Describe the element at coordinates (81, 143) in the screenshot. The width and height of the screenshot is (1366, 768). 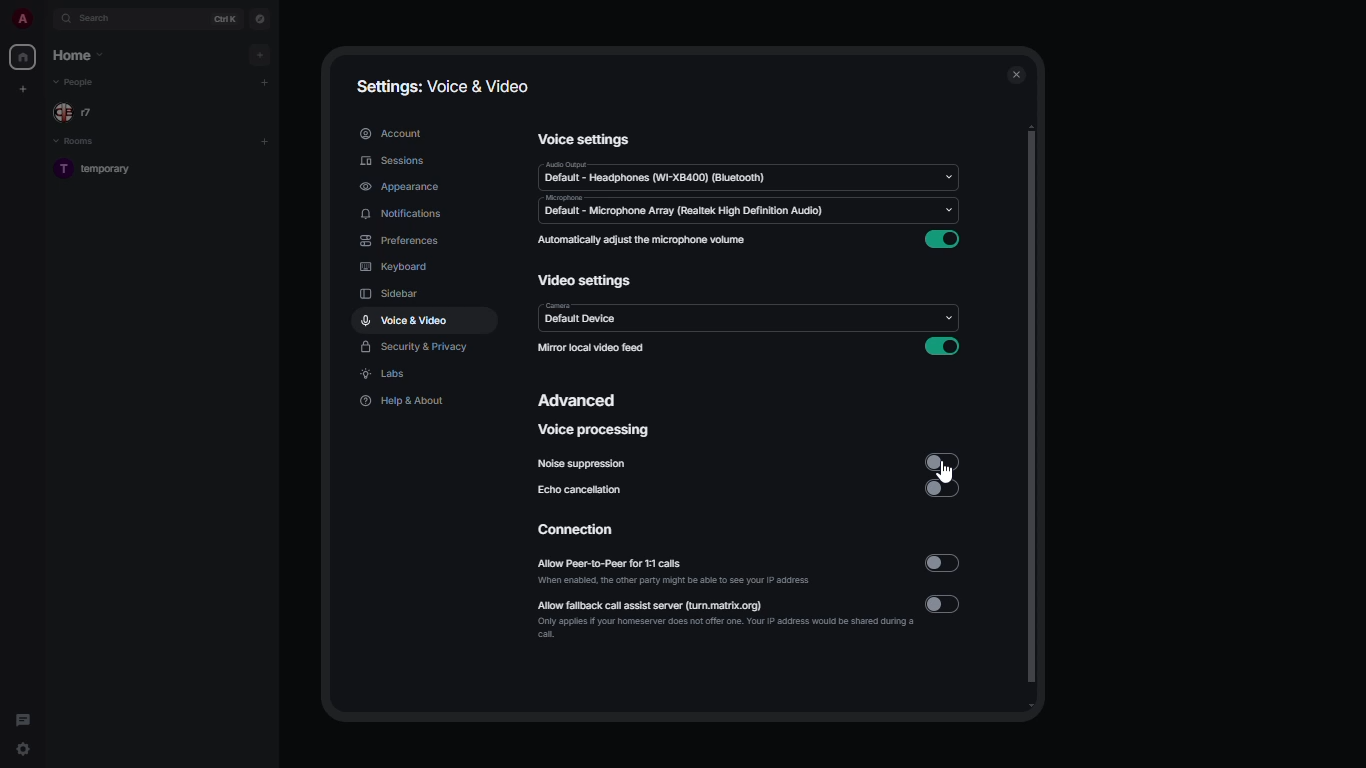
I see `rooms` at that location.